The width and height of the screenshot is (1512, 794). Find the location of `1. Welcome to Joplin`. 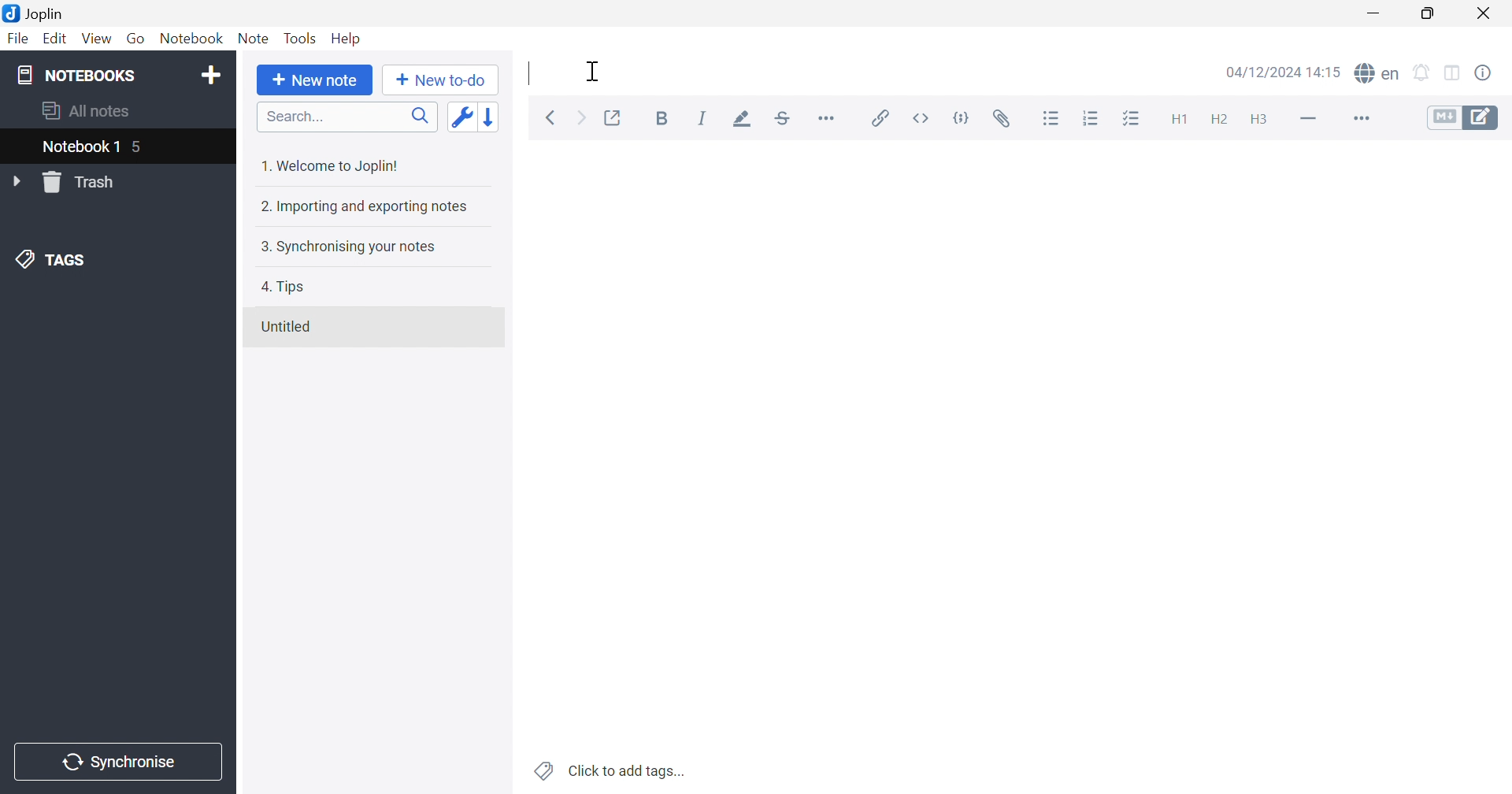

1. Welcome to Joplin is located at coordinates (328, 165).